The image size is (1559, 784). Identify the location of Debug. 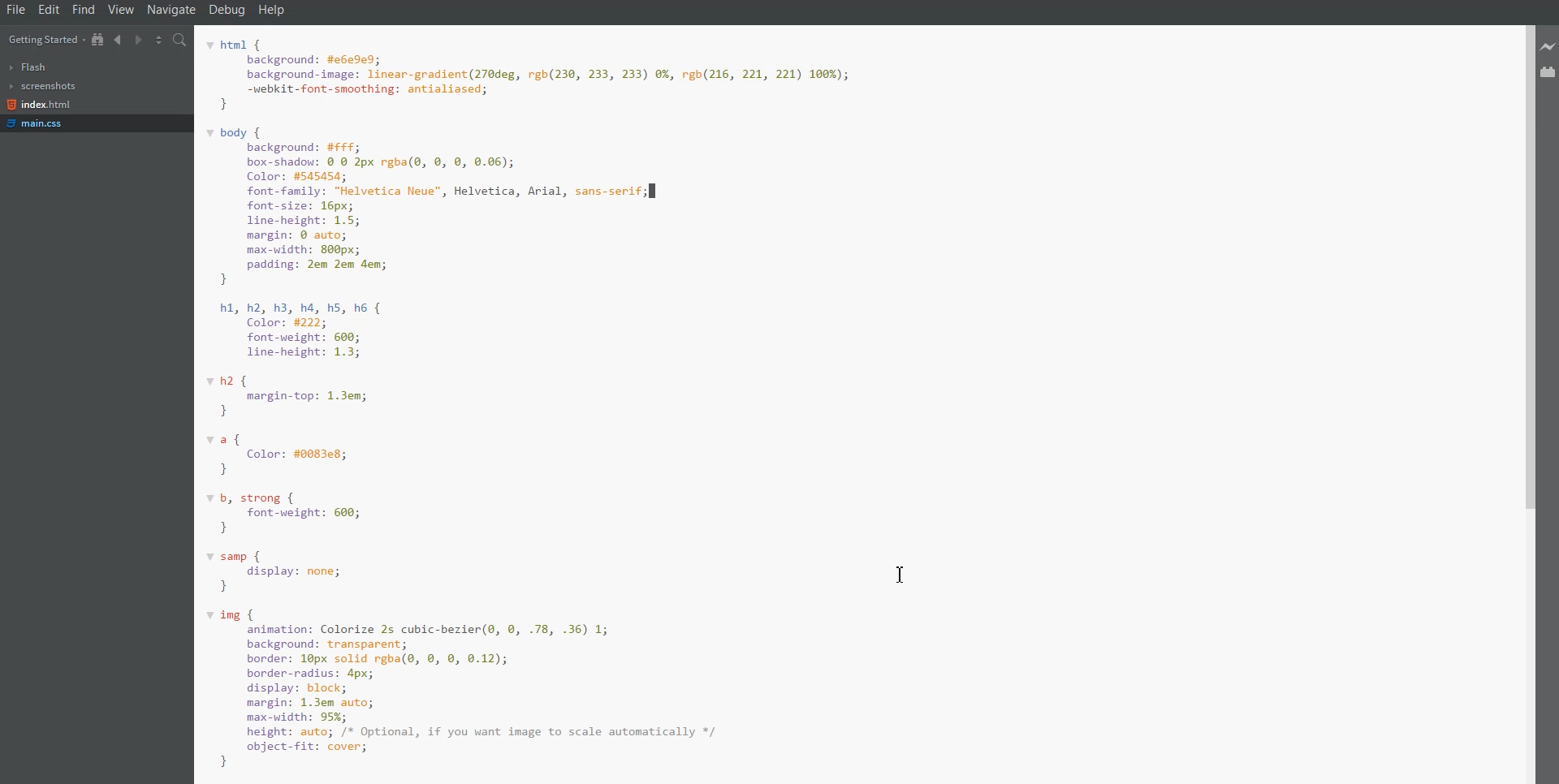
(228, 10).